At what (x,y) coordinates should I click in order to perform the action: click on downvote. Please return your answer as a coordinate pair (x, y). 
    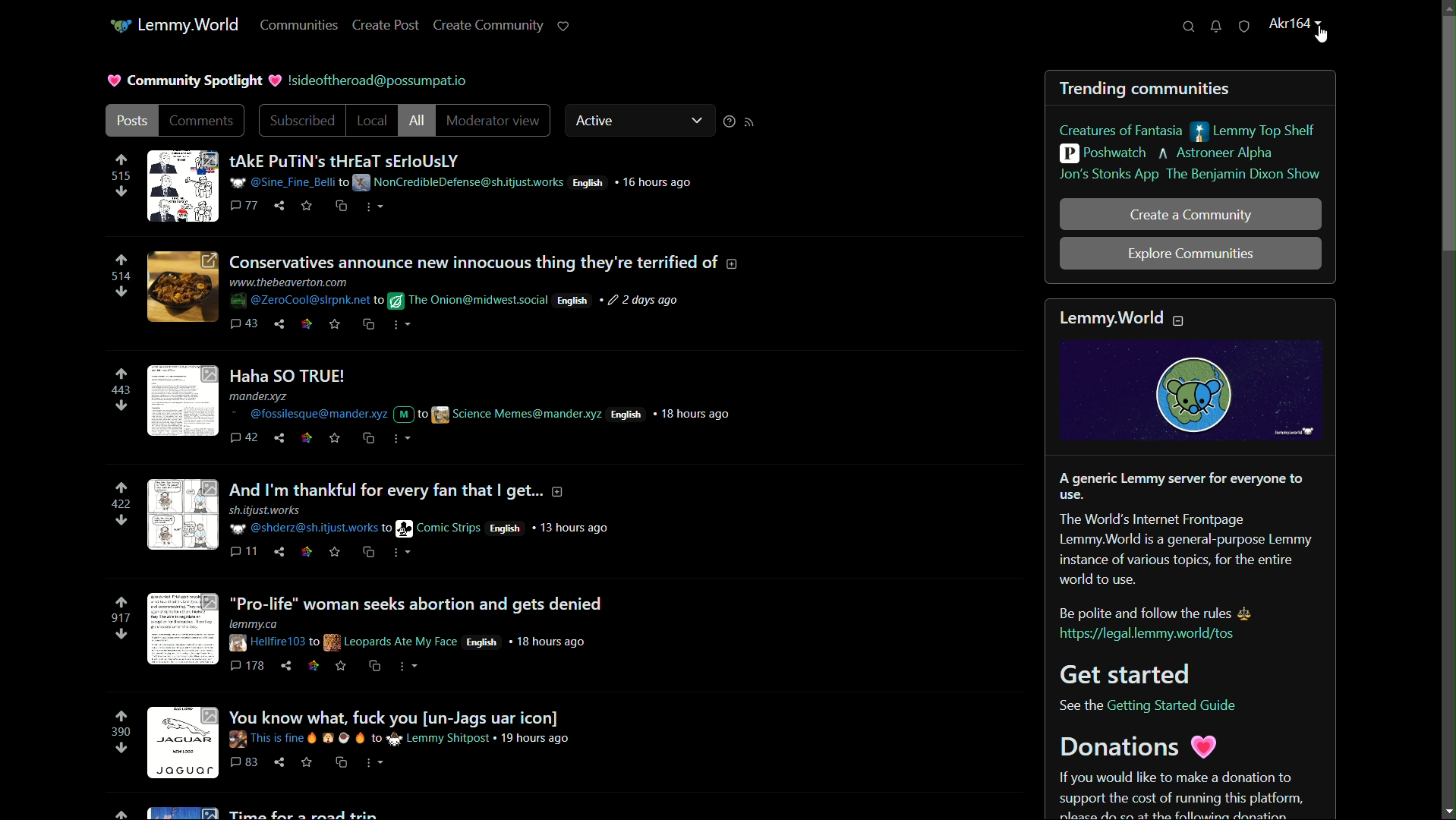
    Looking at the image, I should click on (120, 749).